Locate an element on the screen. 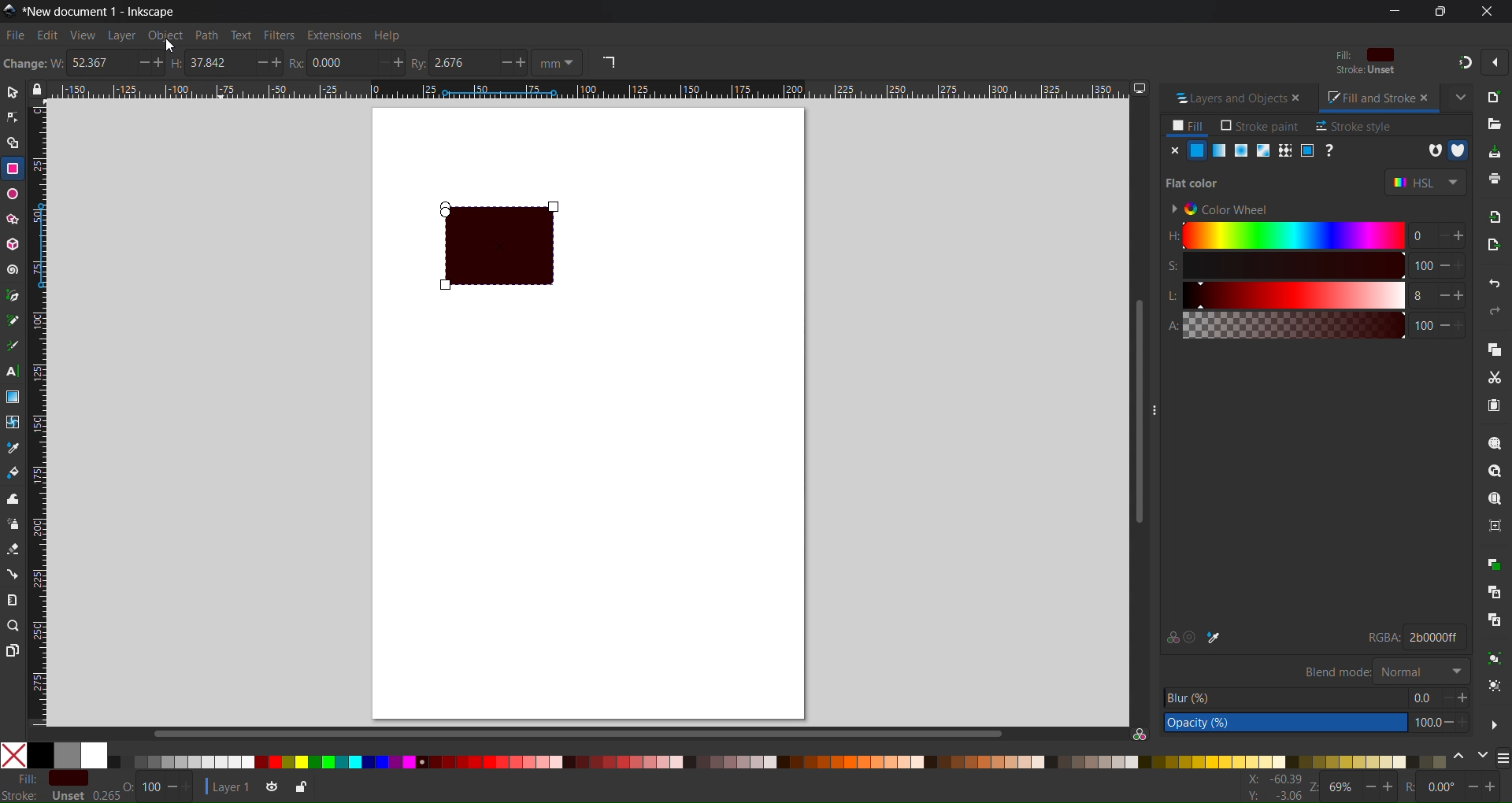  Maximize the radius is located at coordinates (400, 62).